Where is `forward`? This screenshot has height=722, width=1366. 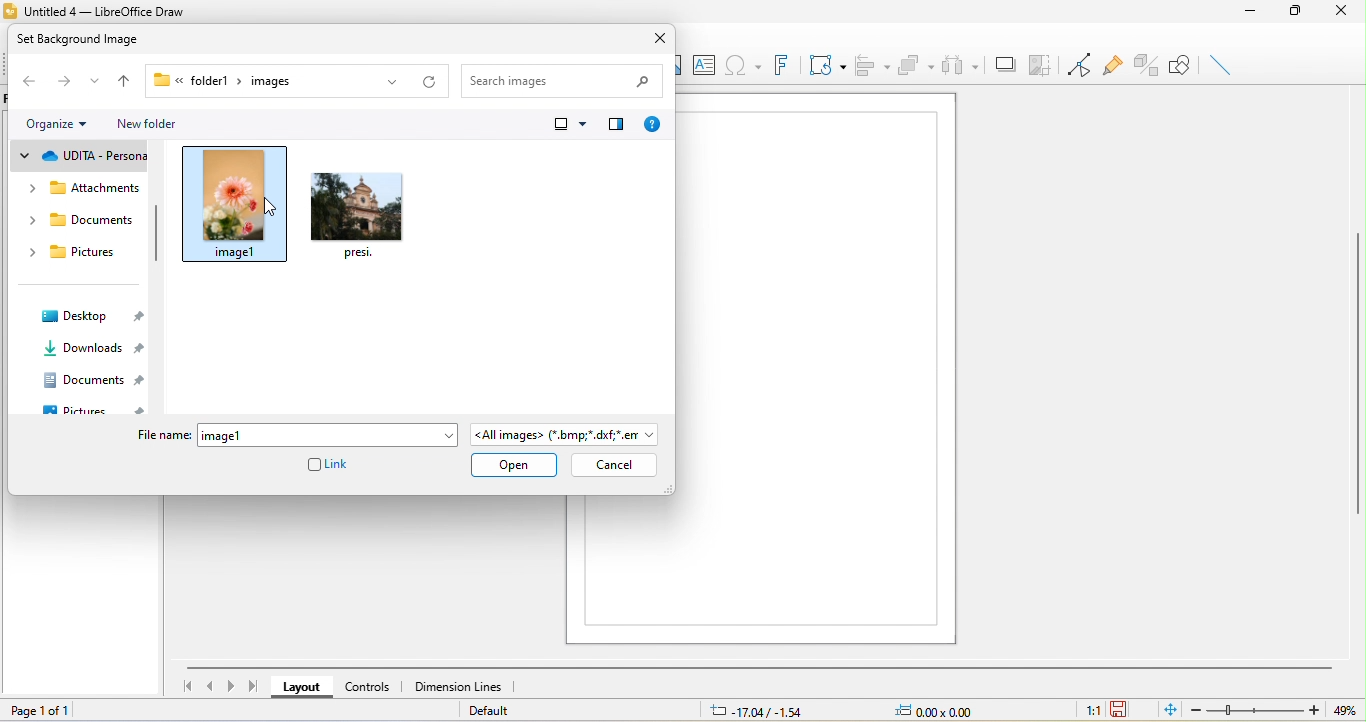 forward is located at coordinates (61, 80).